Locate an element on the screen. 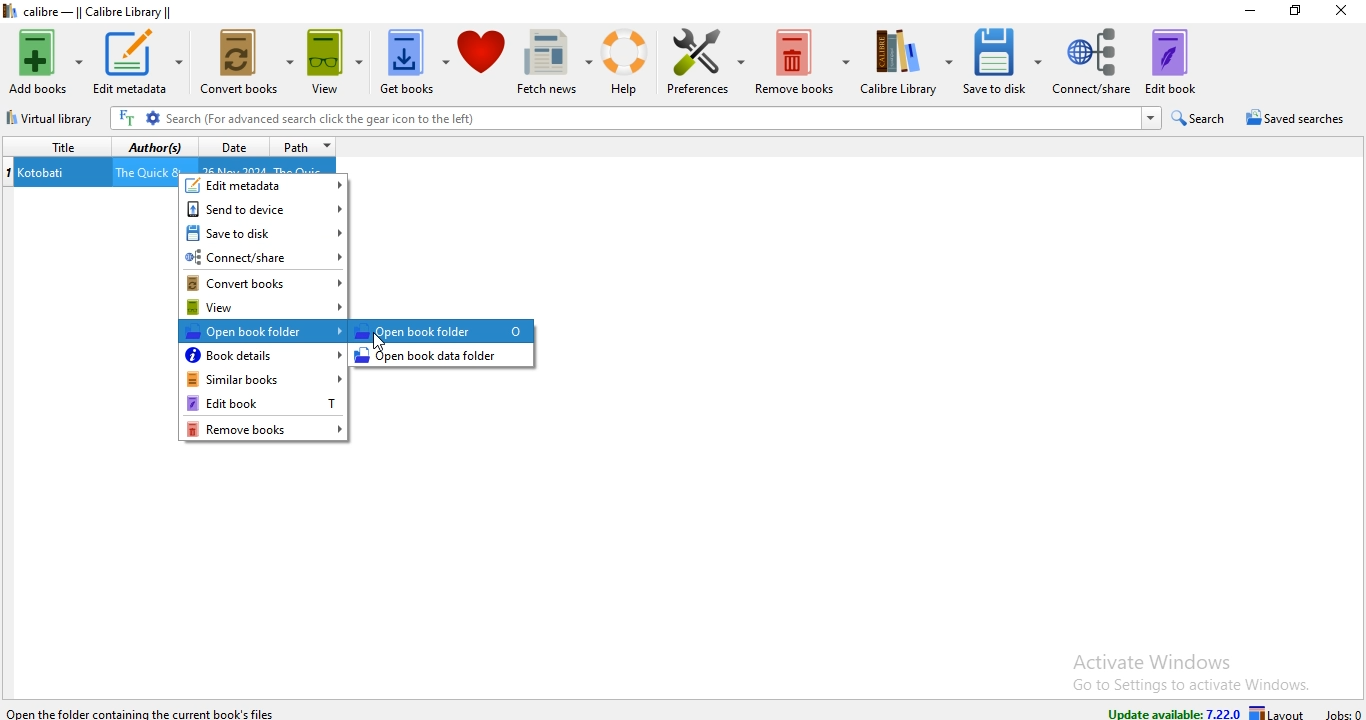  book details is located at coordinates (264, 354).